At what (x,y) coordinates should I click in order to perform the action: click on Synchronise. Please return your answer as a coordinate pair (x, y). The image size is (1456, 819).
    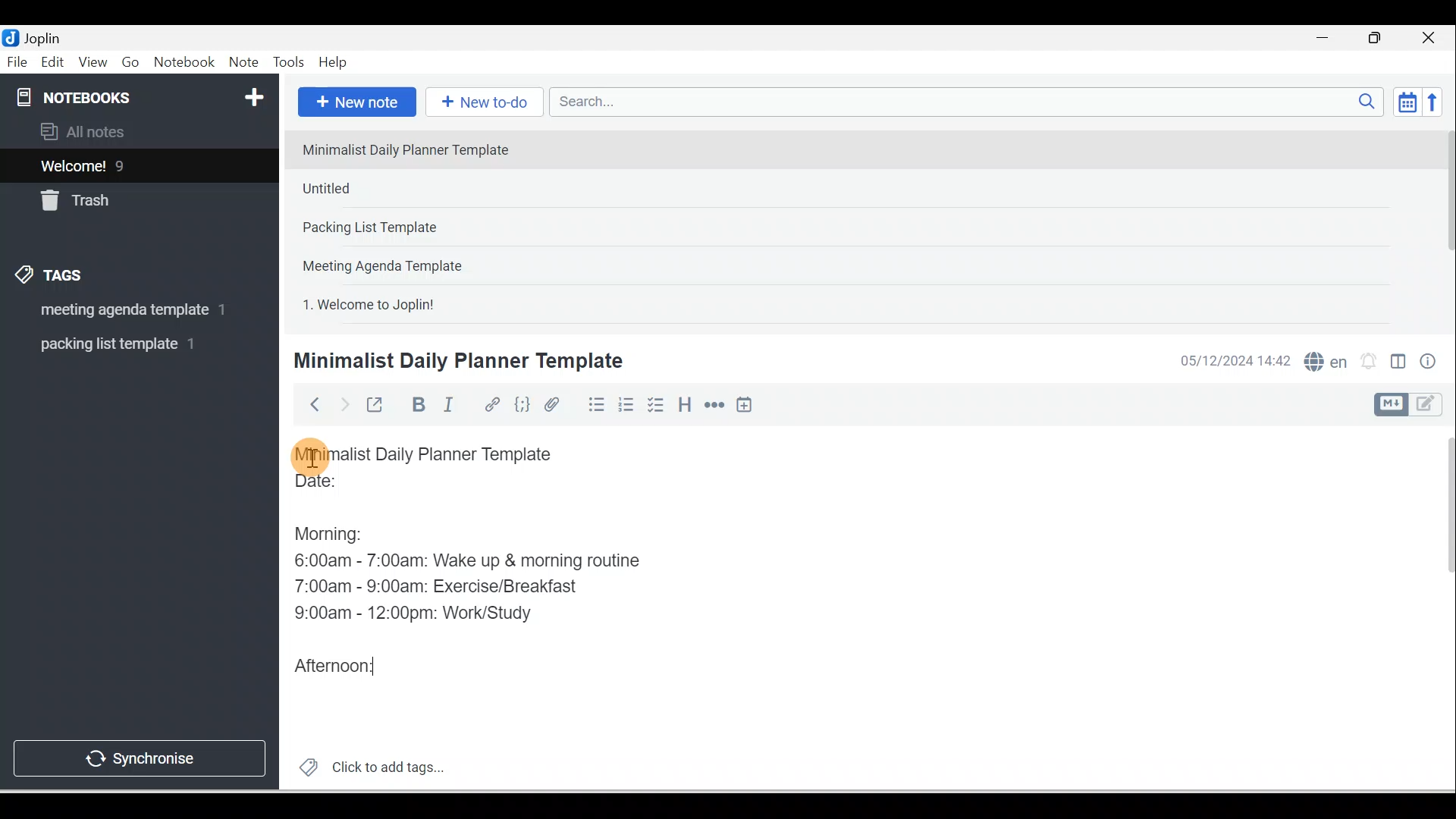
    Looking at the image, I should click on (138, 755).